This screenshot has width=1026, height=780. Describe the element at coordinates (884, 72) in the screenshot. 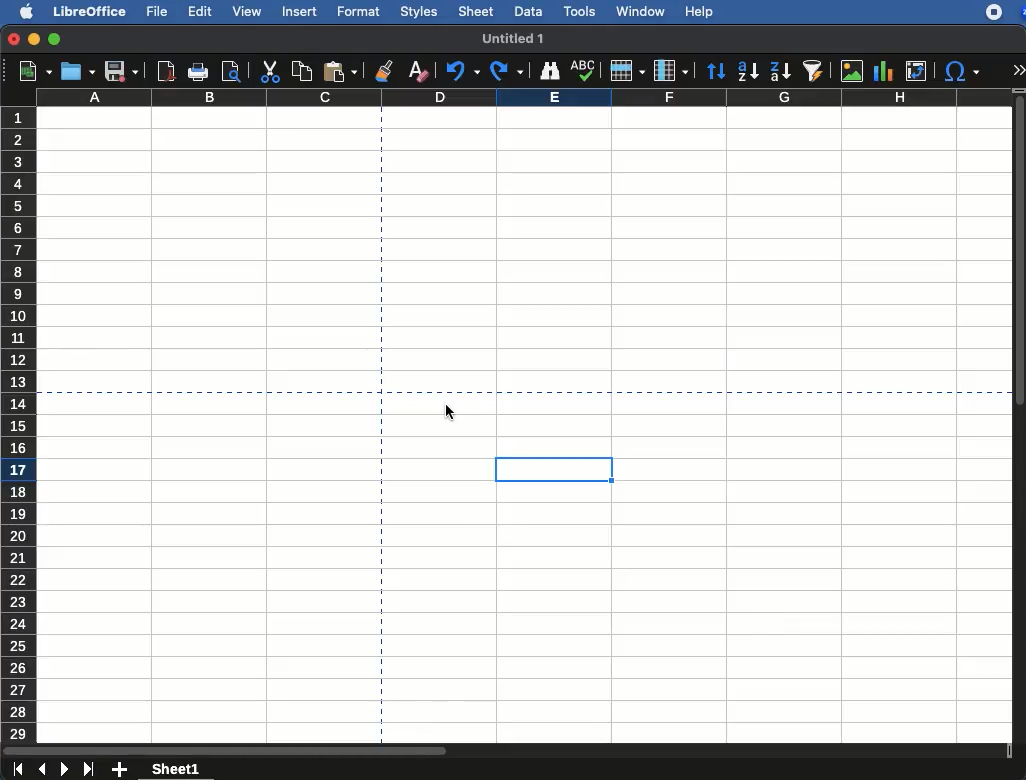

I see `chart` at that location.